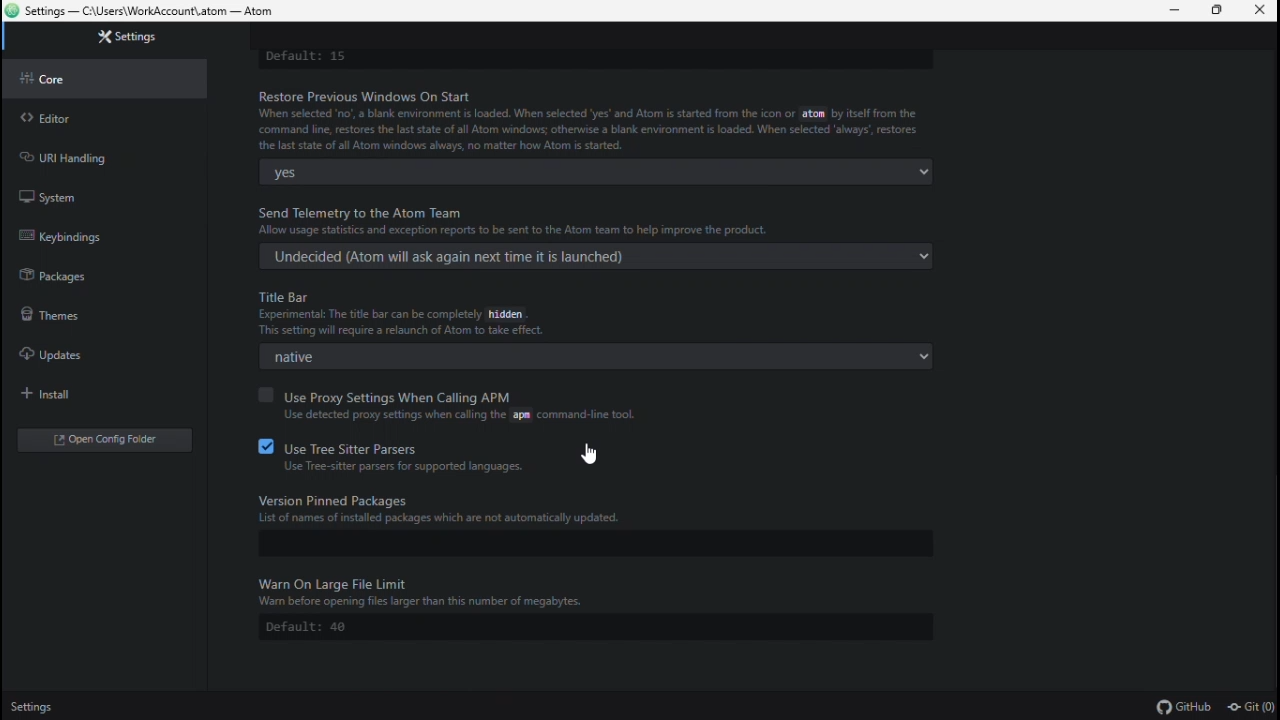 This screenshot has height=720, width=1280. What do you see at coordinates (95, 115) in the screenshot?
I see `Editor` at bounding box center [95, 115].